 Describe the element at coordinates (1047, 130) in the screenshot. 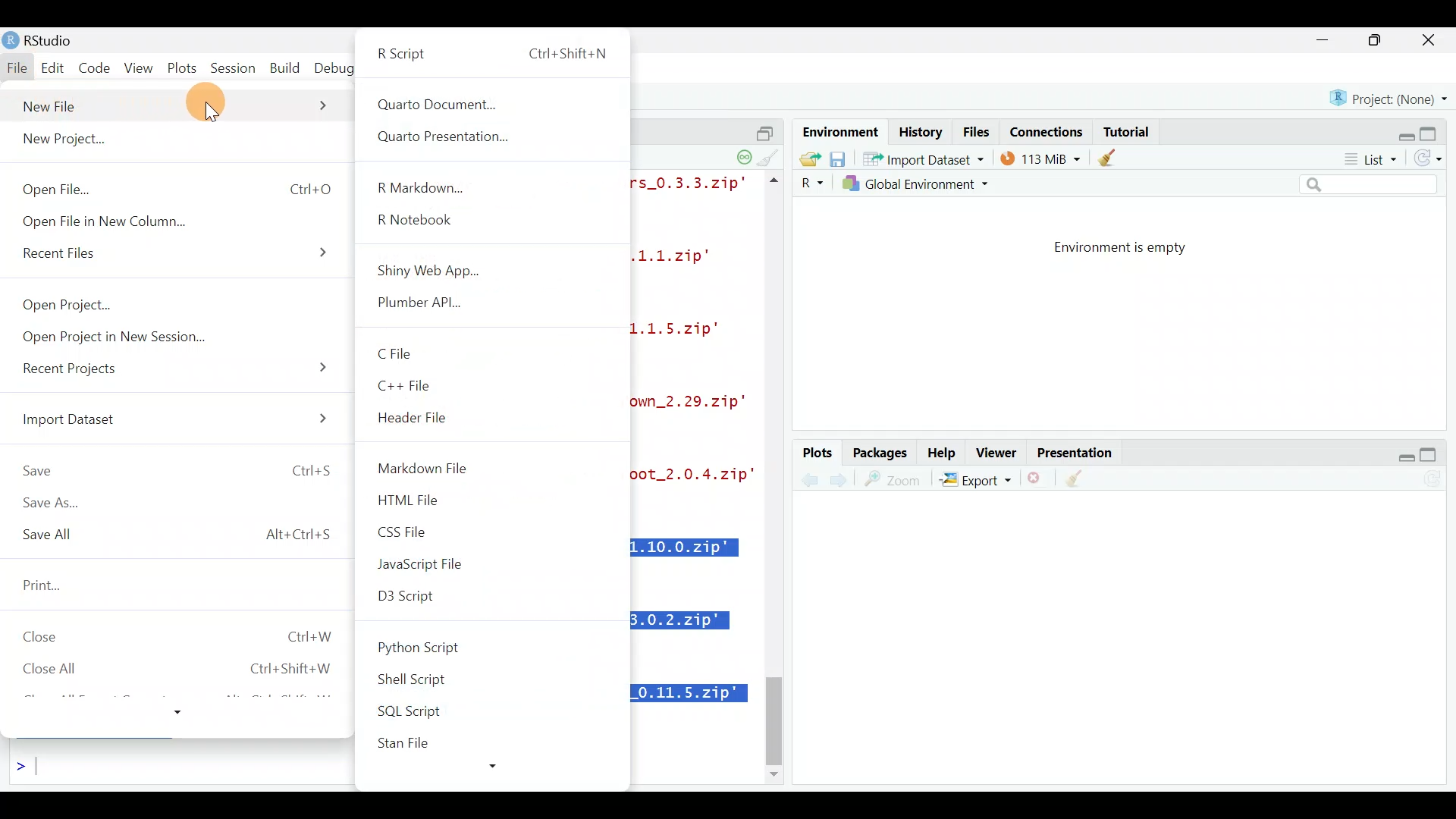

I see `Connections` at that location.